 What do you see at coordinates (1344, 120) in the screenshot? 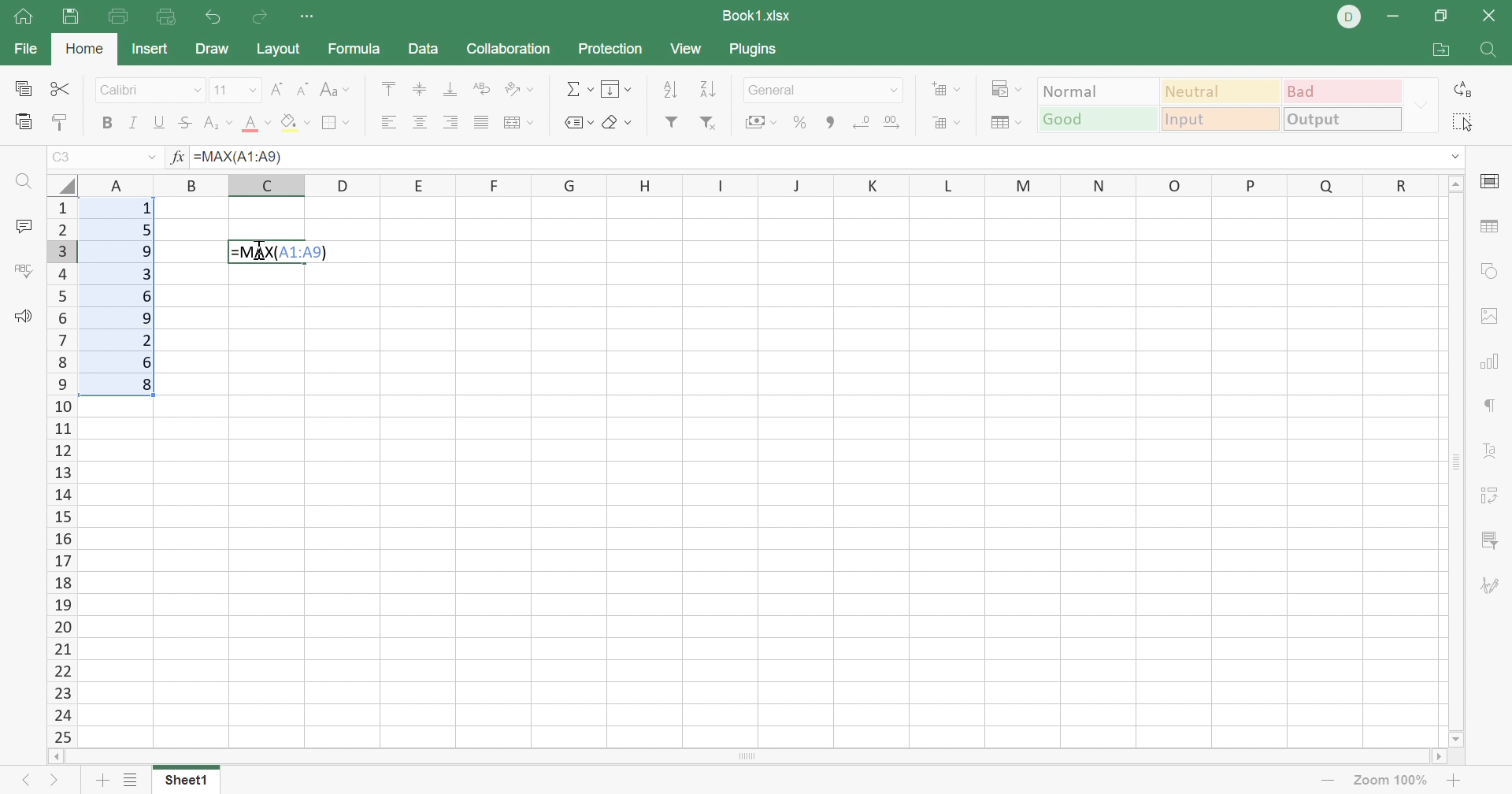
I see `Output` at bounding box center [1344, 120].